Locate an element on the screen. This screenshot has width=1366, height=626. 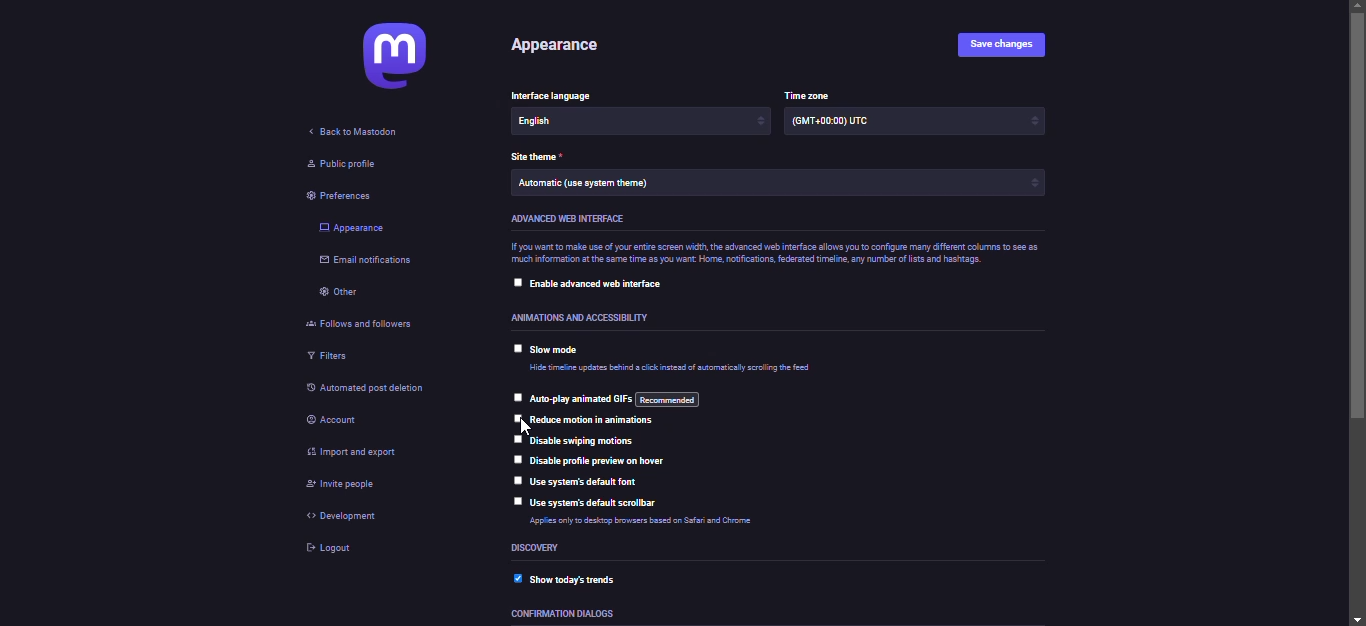
email notifications is located at coordinates (369, 262).